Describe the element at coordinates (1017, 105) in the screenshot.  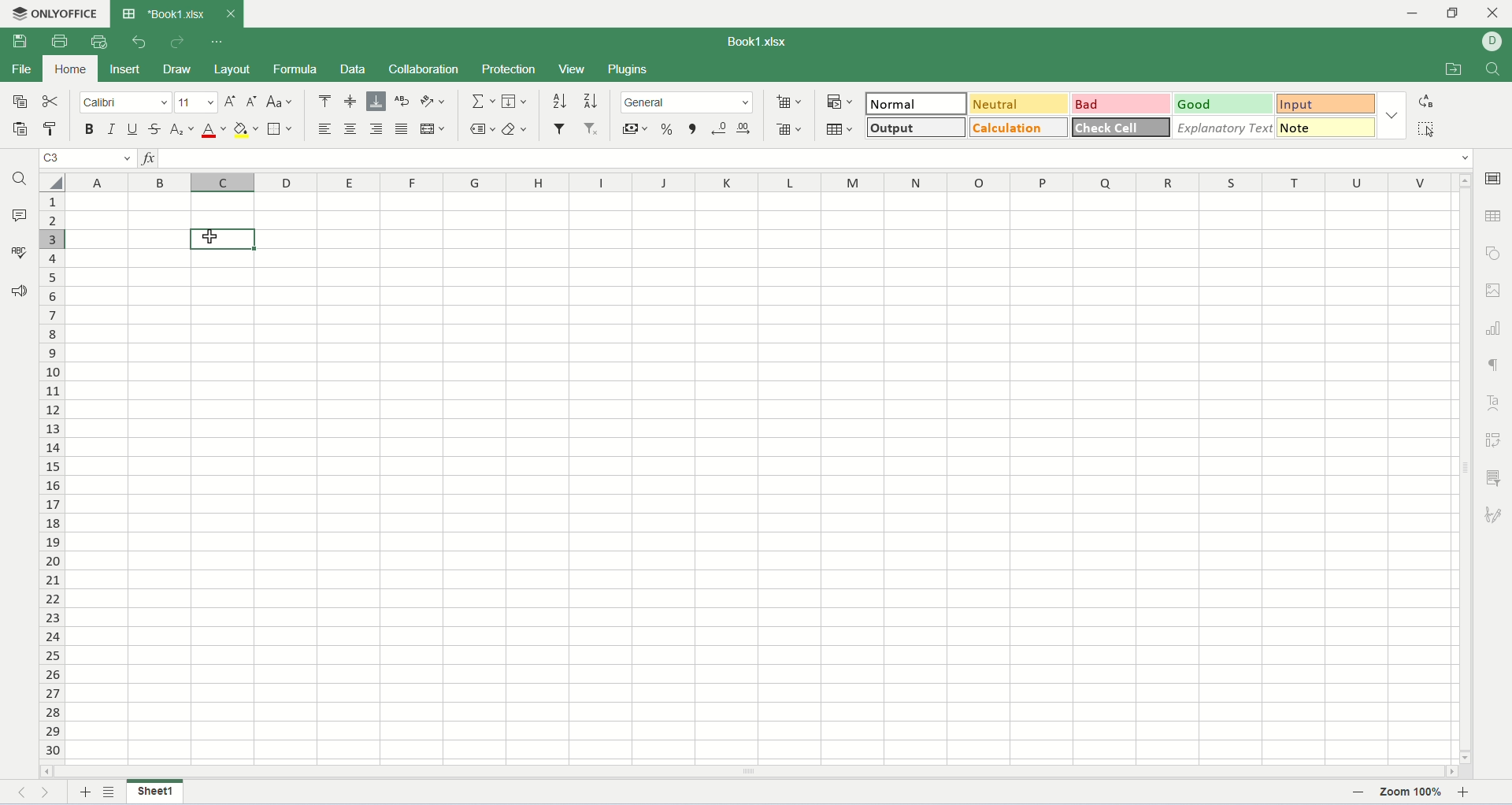
I see `neutral` at that location.